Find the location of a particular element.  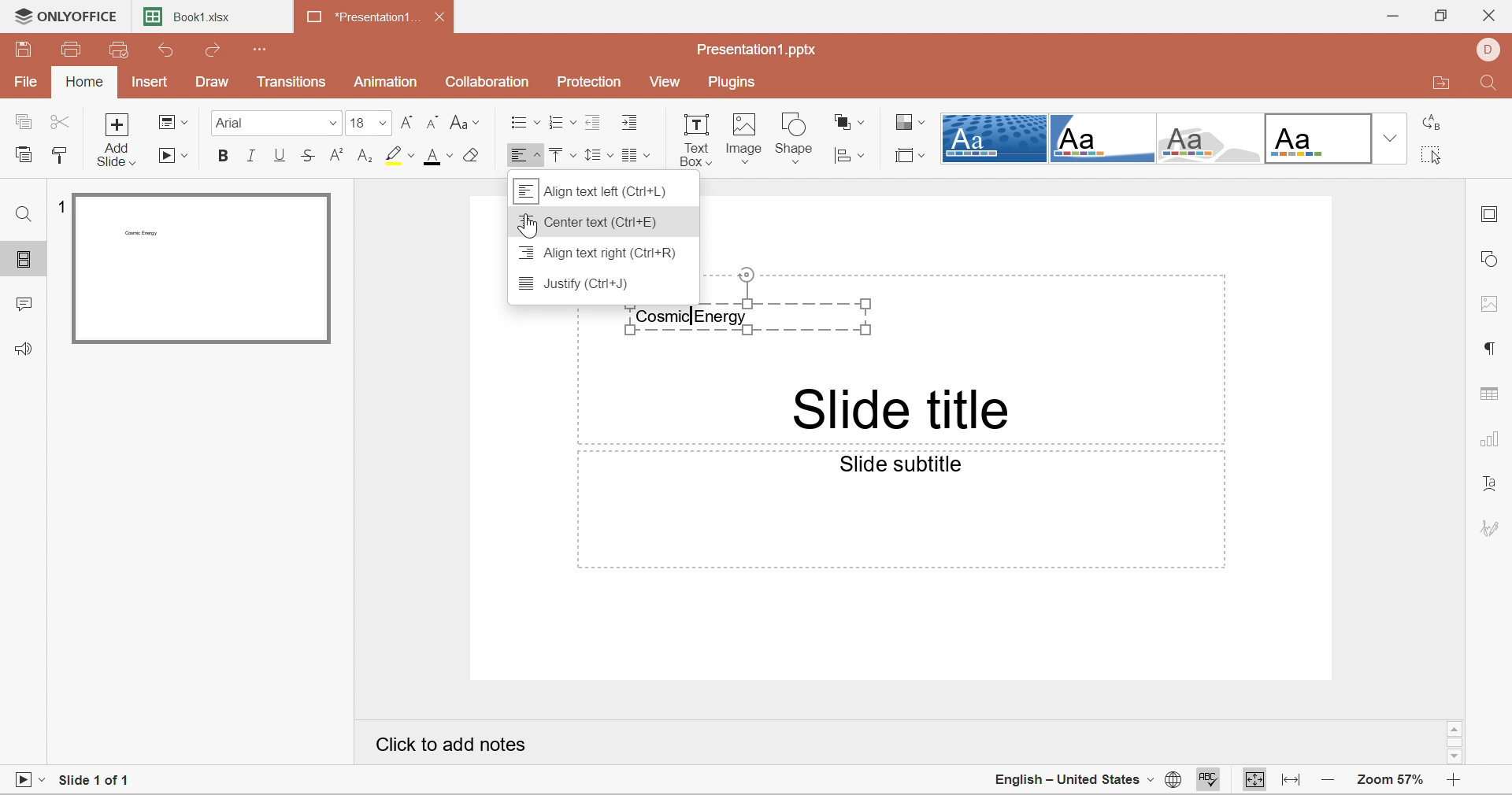

Change color theme is located at coordinates (910, 124).